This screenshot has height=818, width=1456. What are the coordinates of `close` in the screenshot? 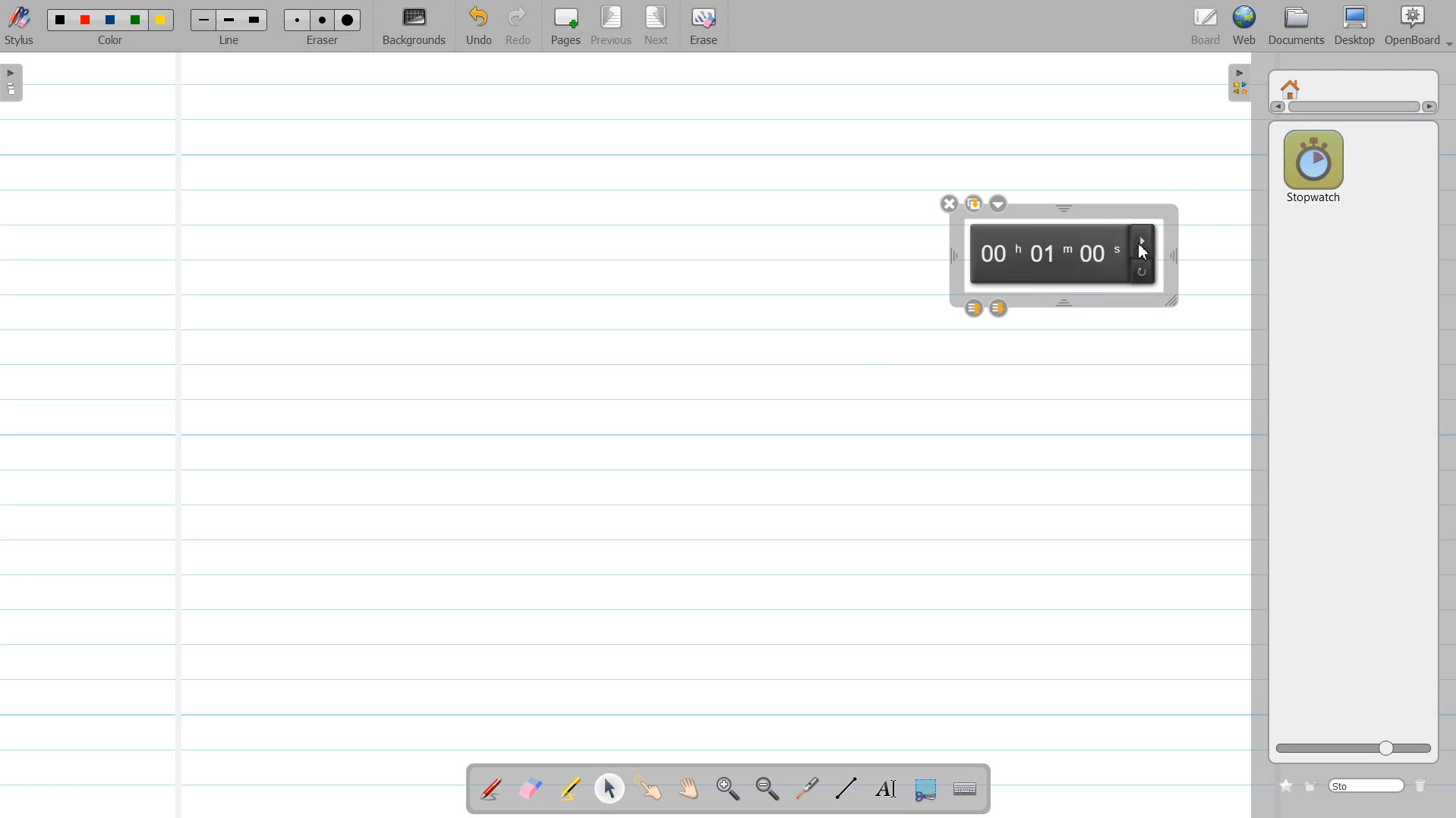 It's located at (949, 203).